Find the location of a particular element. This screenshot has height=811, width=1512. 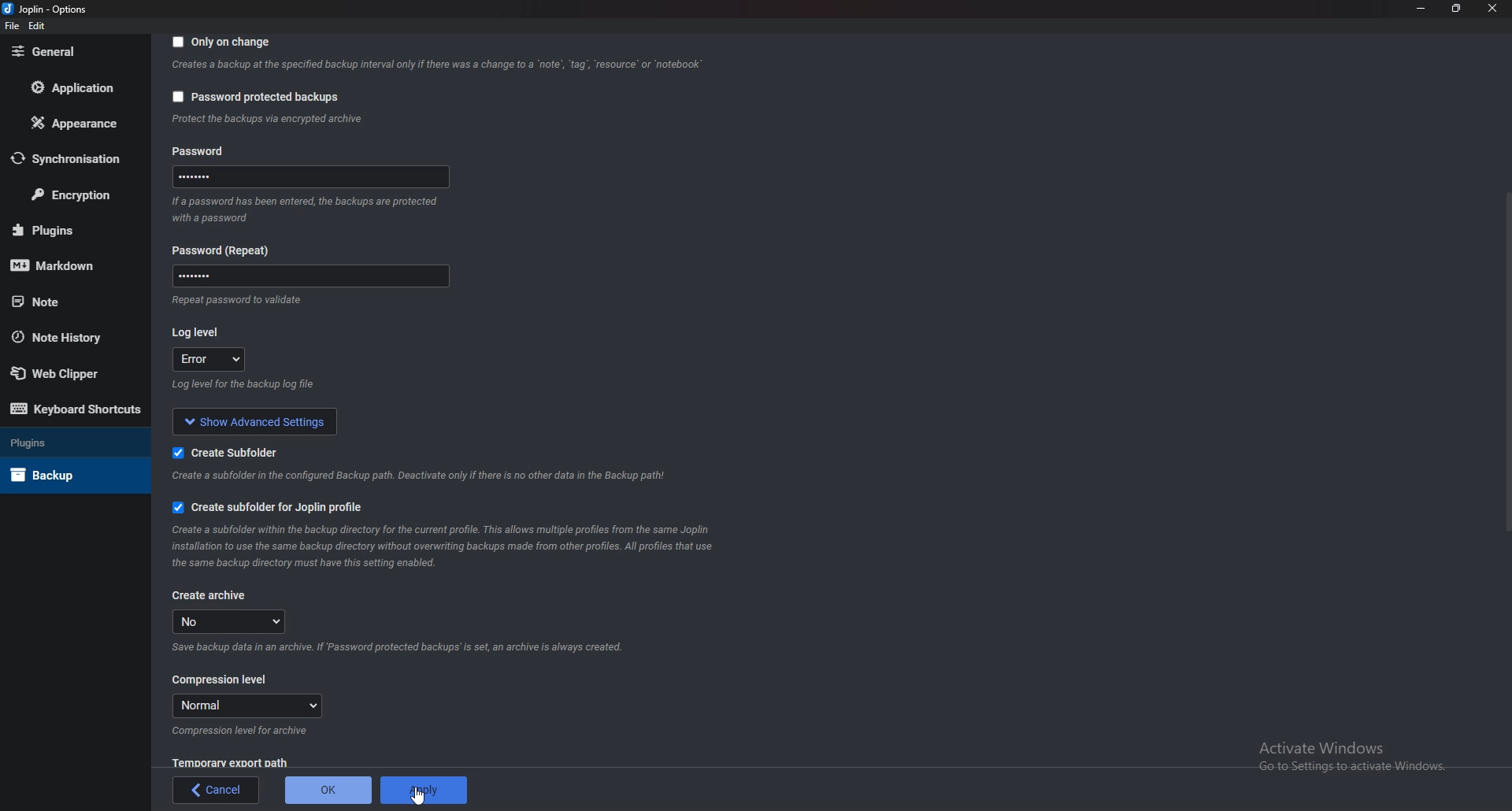

no is located at coordinates (234, 621).